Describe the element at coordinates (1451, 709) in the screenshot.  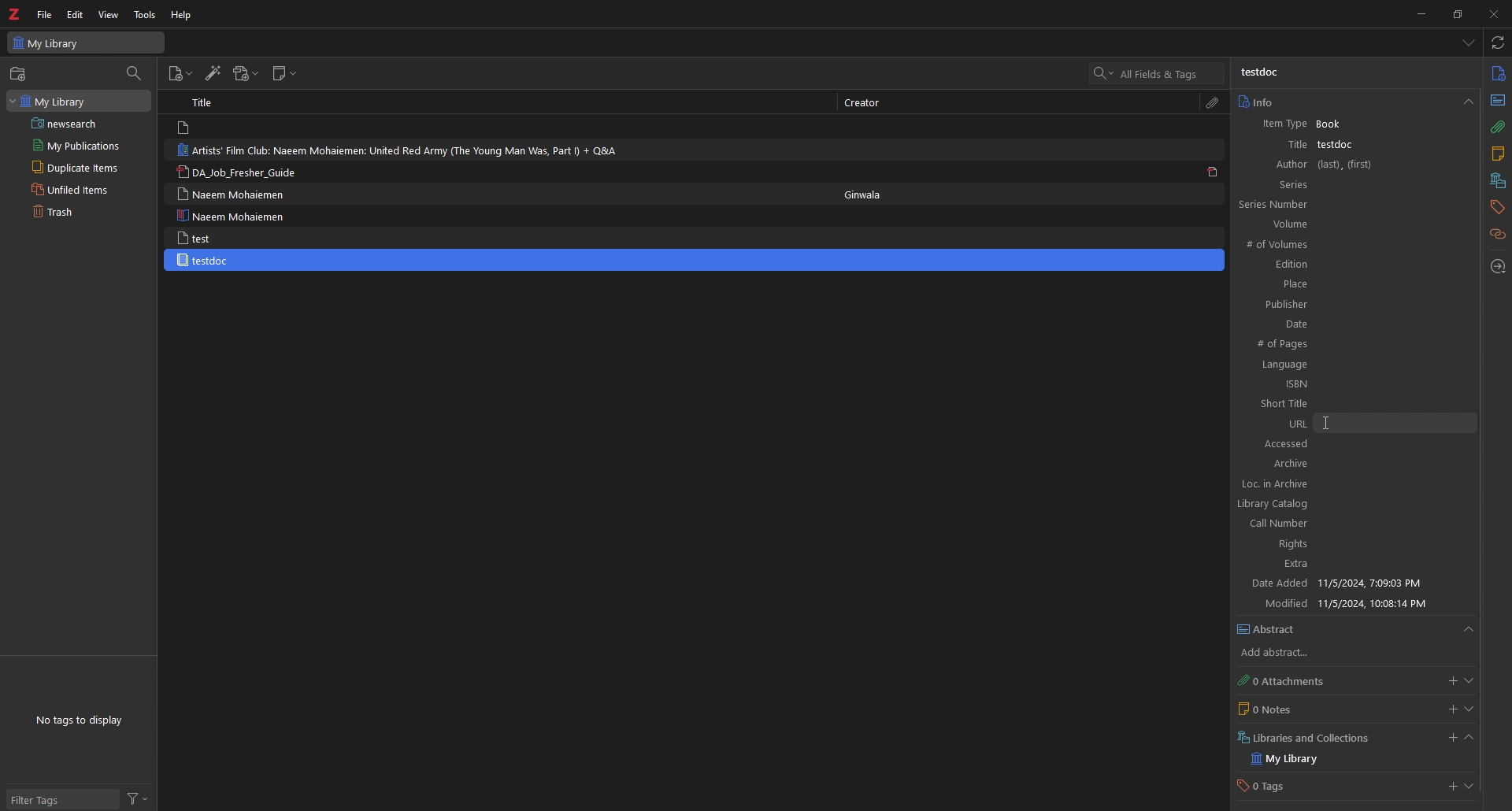
I see `add notes` at that location.